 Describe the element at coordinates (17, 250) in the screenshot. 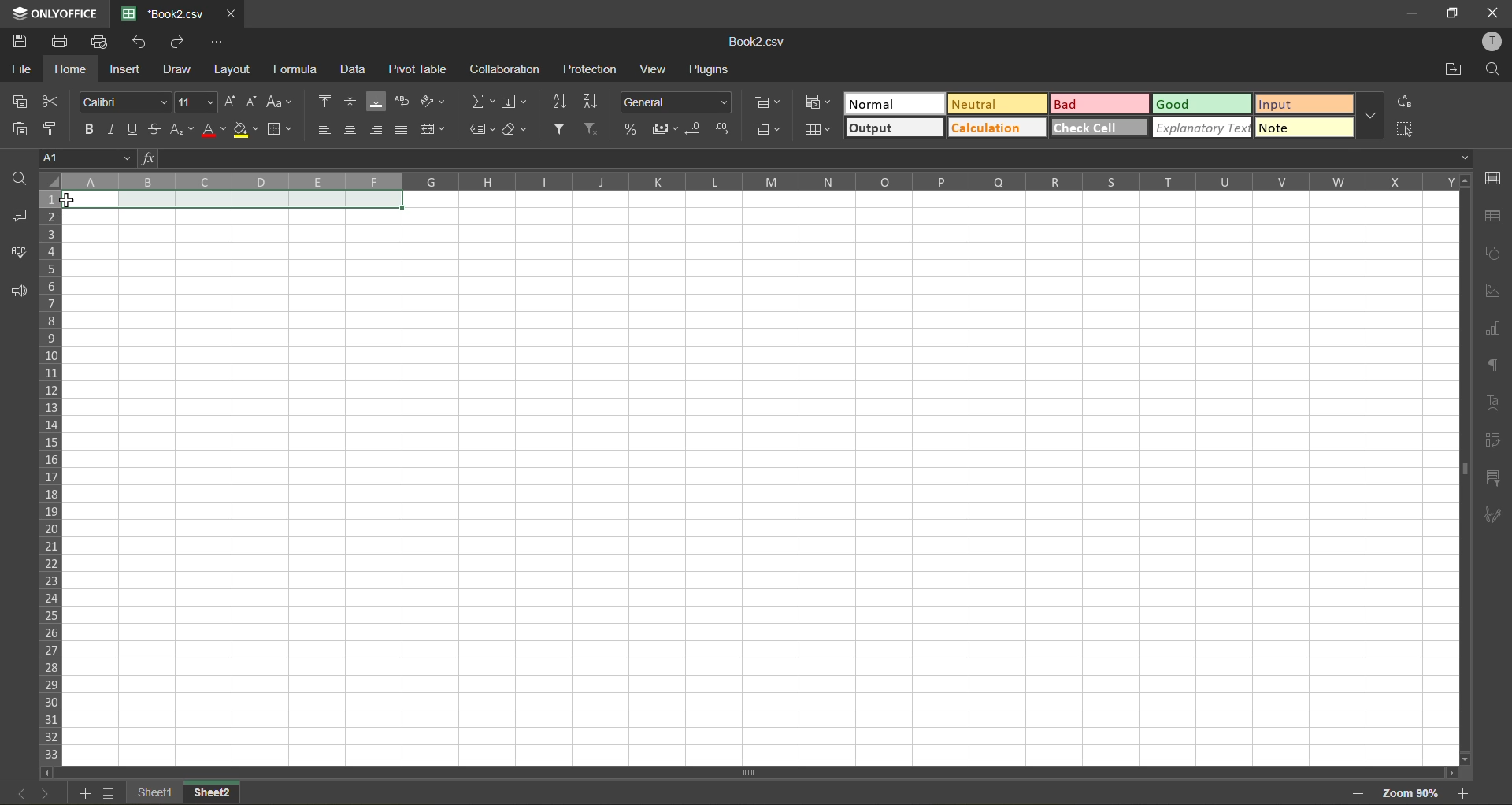

I see `spell check` at that location.